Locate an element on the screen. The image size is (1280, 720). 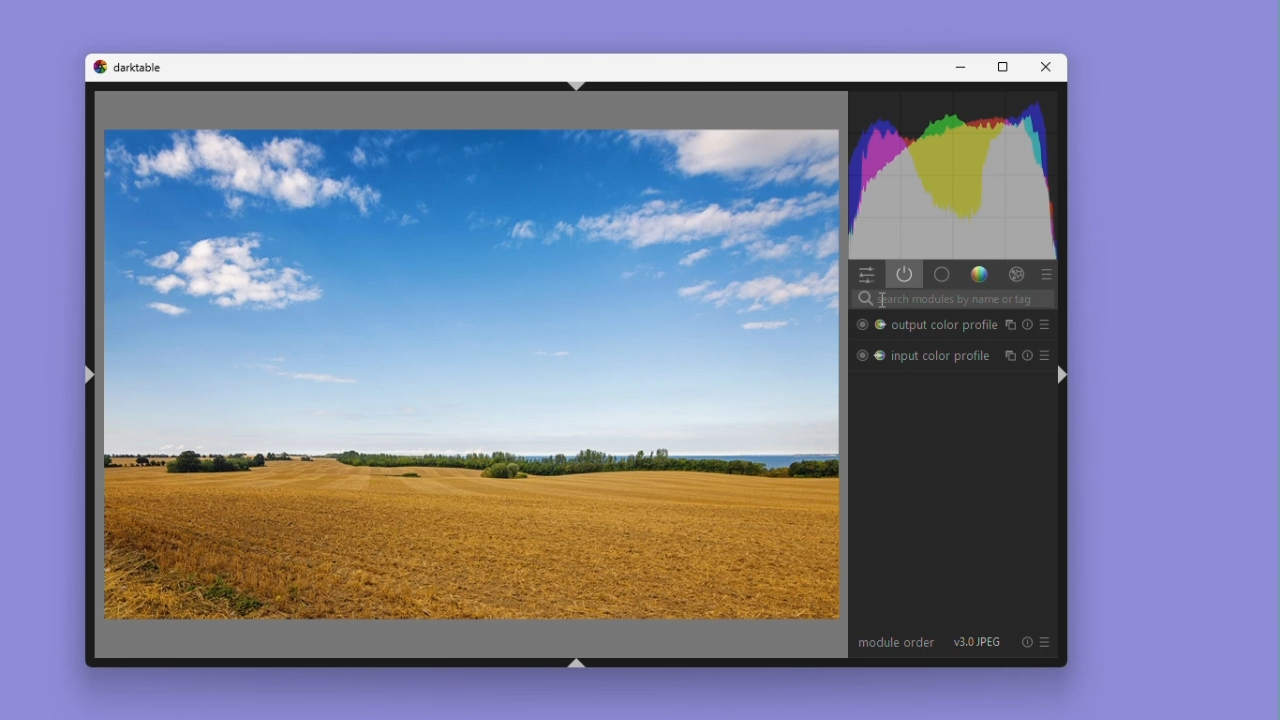
Search bar is located at coordinates (954, 300).